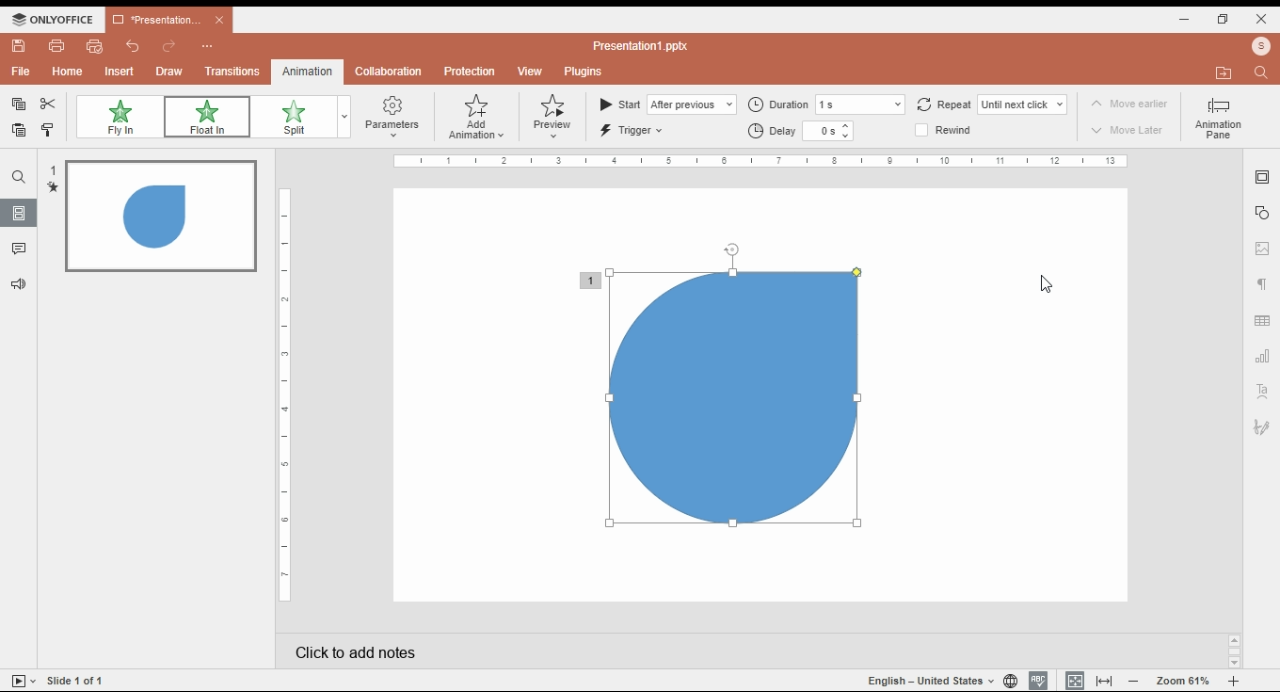 This screenshot has width=1280, height=692. What do you see at coordinates (634, 130) in the screenshot?
I see `trigger` at bounding box center [634, 130].